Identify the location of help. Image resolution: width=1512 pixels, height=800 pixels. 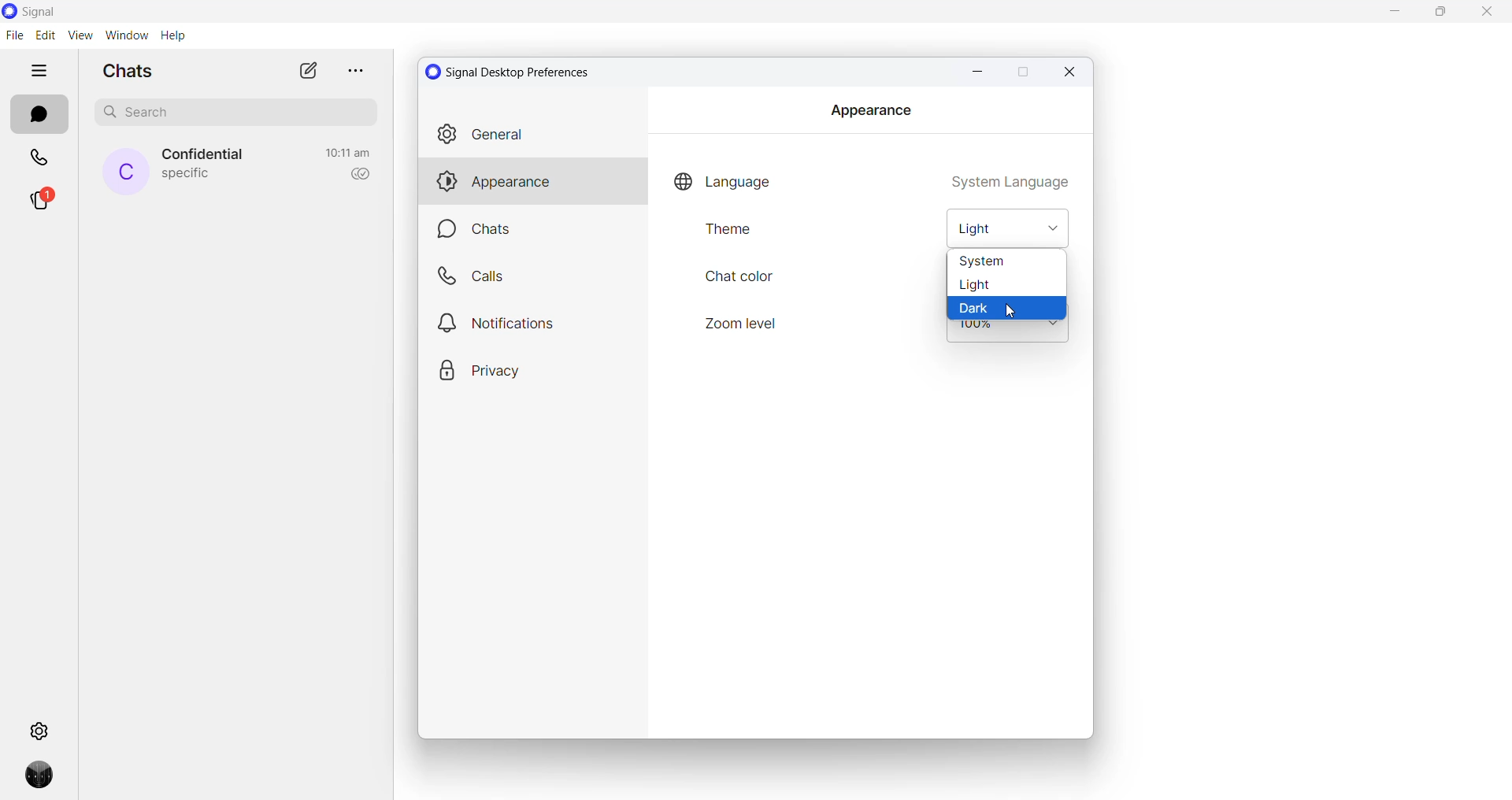
(172, 36).